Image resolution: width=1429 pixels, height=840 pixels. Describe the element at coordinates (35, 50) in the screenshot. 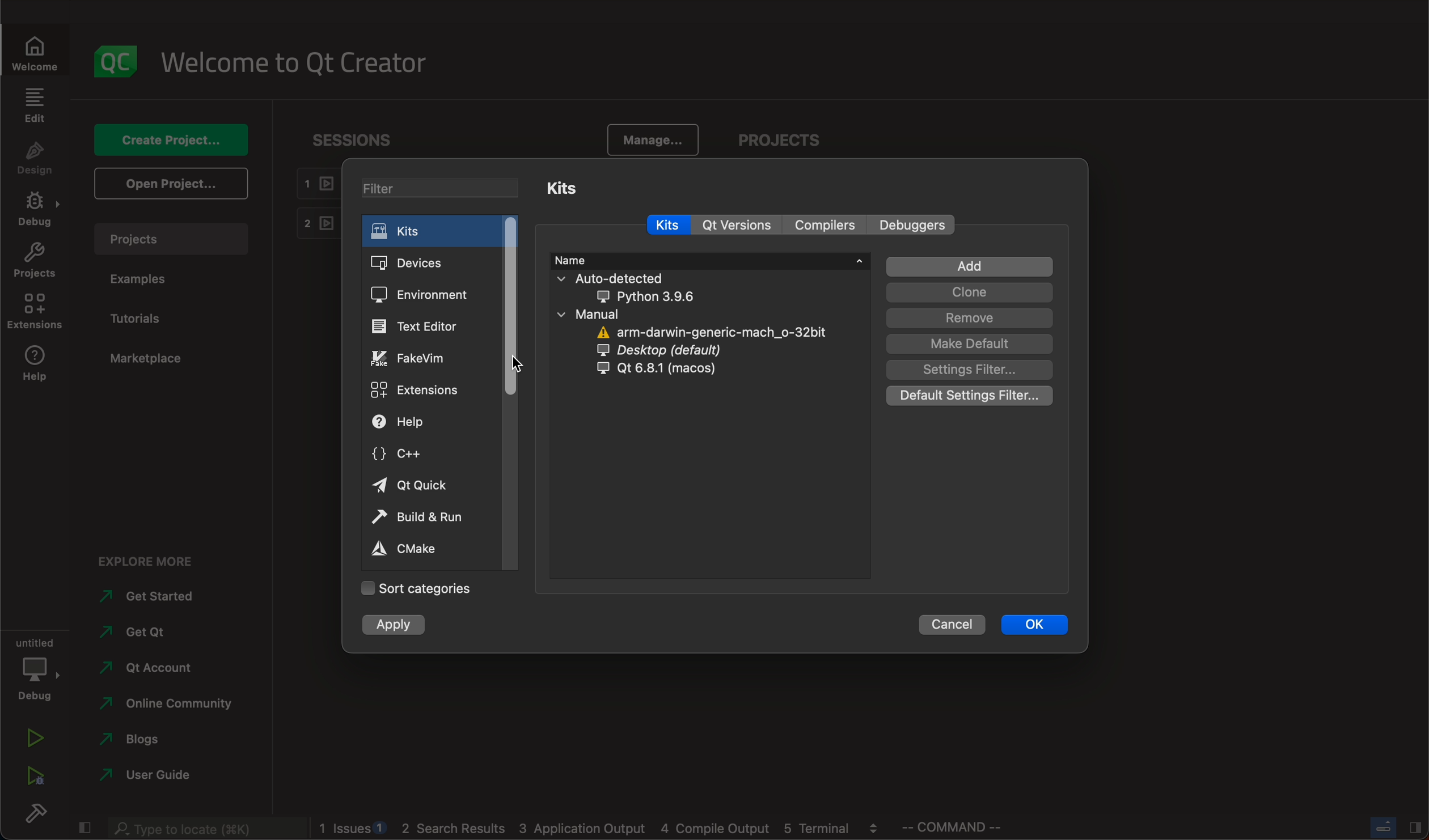

I see `welcome` at that location.